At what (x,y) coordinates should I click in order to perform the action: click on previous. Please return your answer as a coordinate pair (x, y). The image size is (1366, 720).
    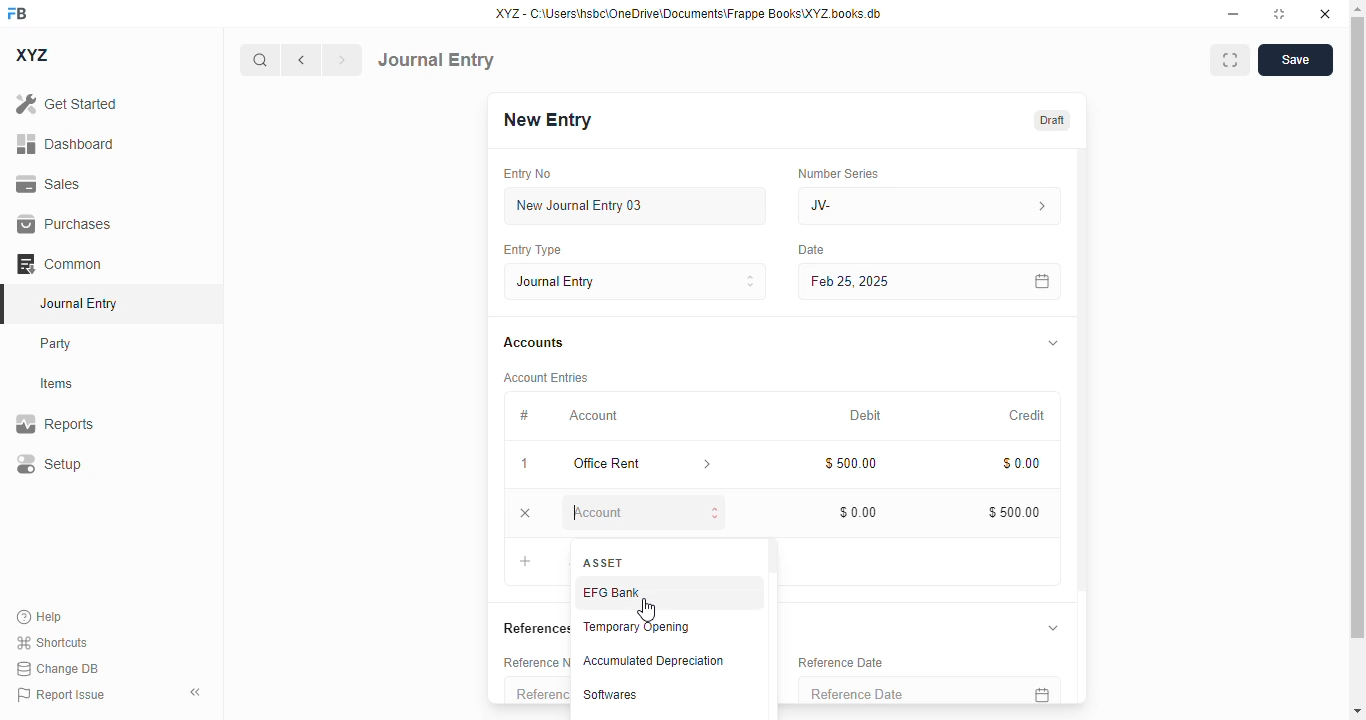
    Looking at the image, I should click on (301, 60).